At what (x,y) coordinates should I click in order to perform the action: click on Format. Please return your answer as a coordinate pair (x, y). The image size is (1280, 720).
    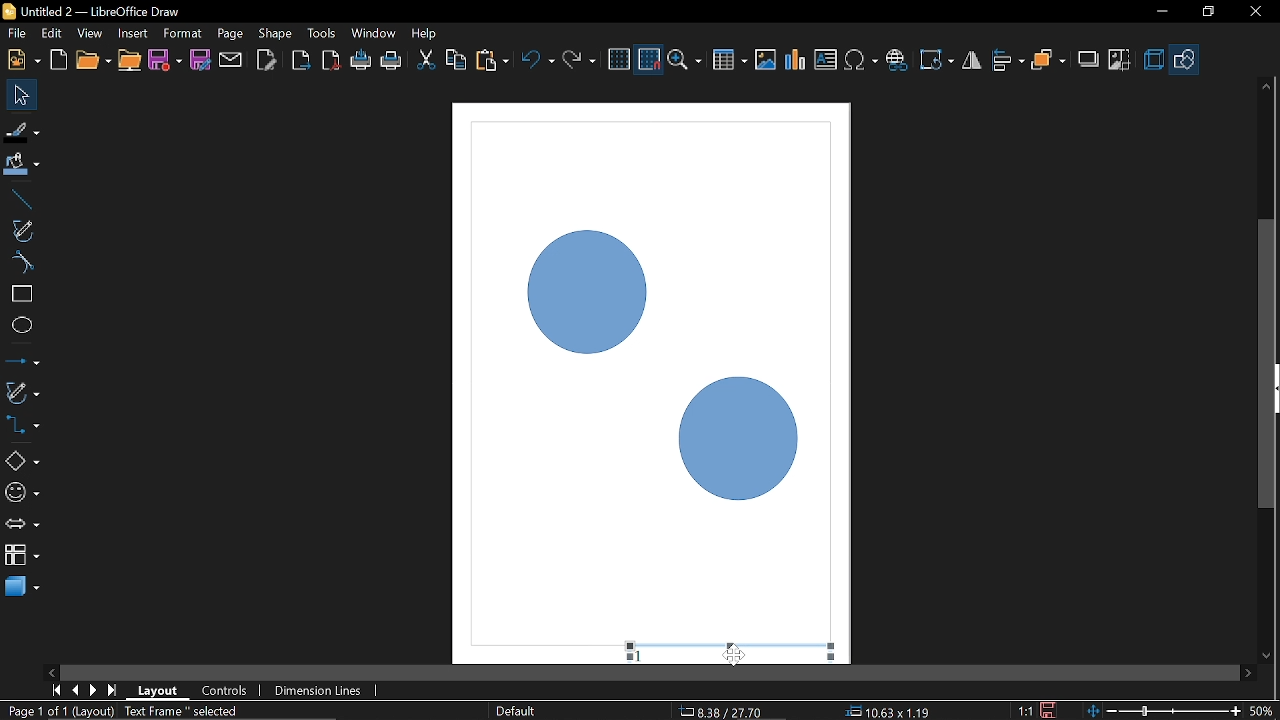
    Looking at the image, I should click on (182, 34).